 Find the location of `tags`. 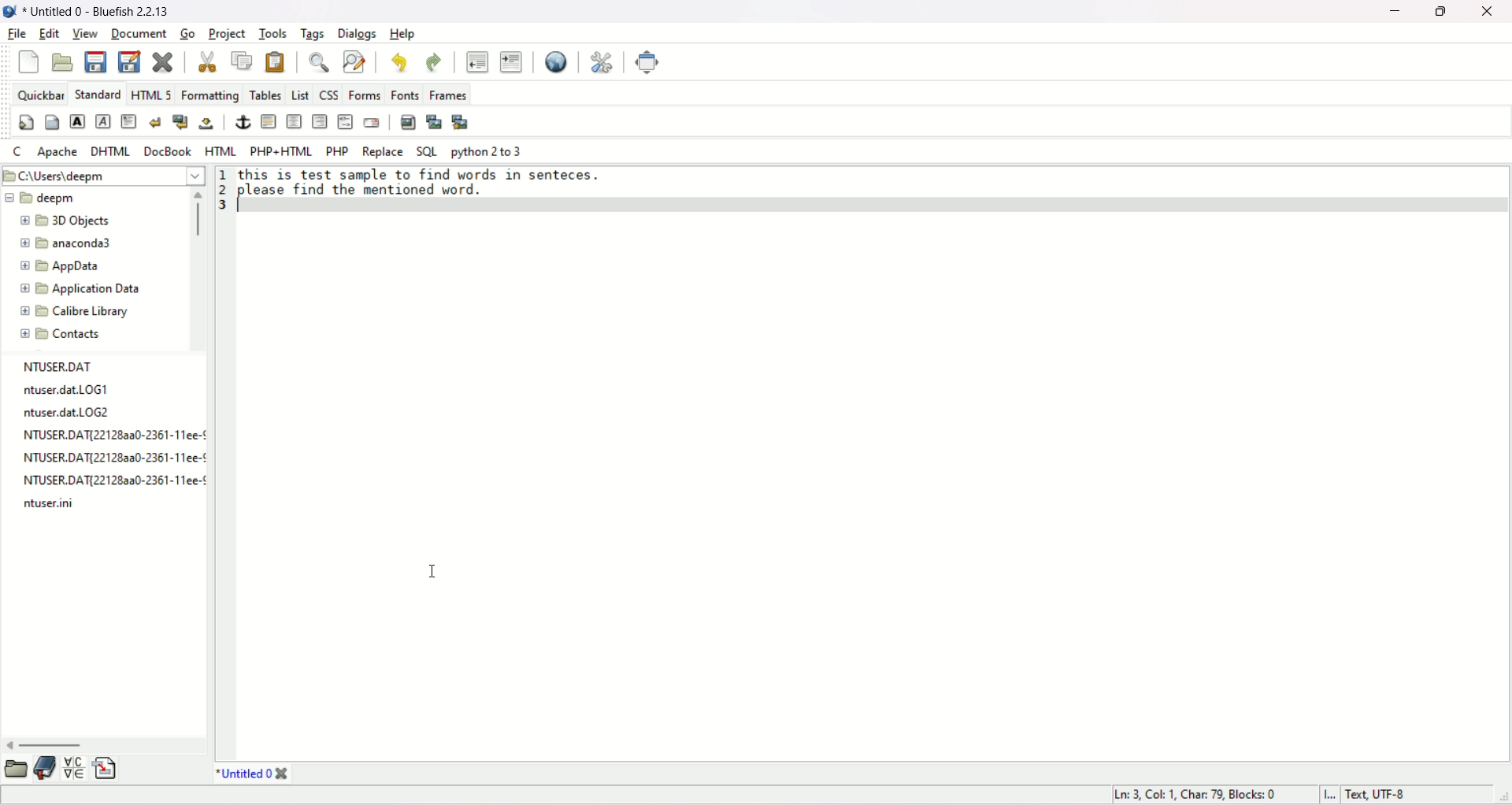

tags is located at coordinates (313, 33).